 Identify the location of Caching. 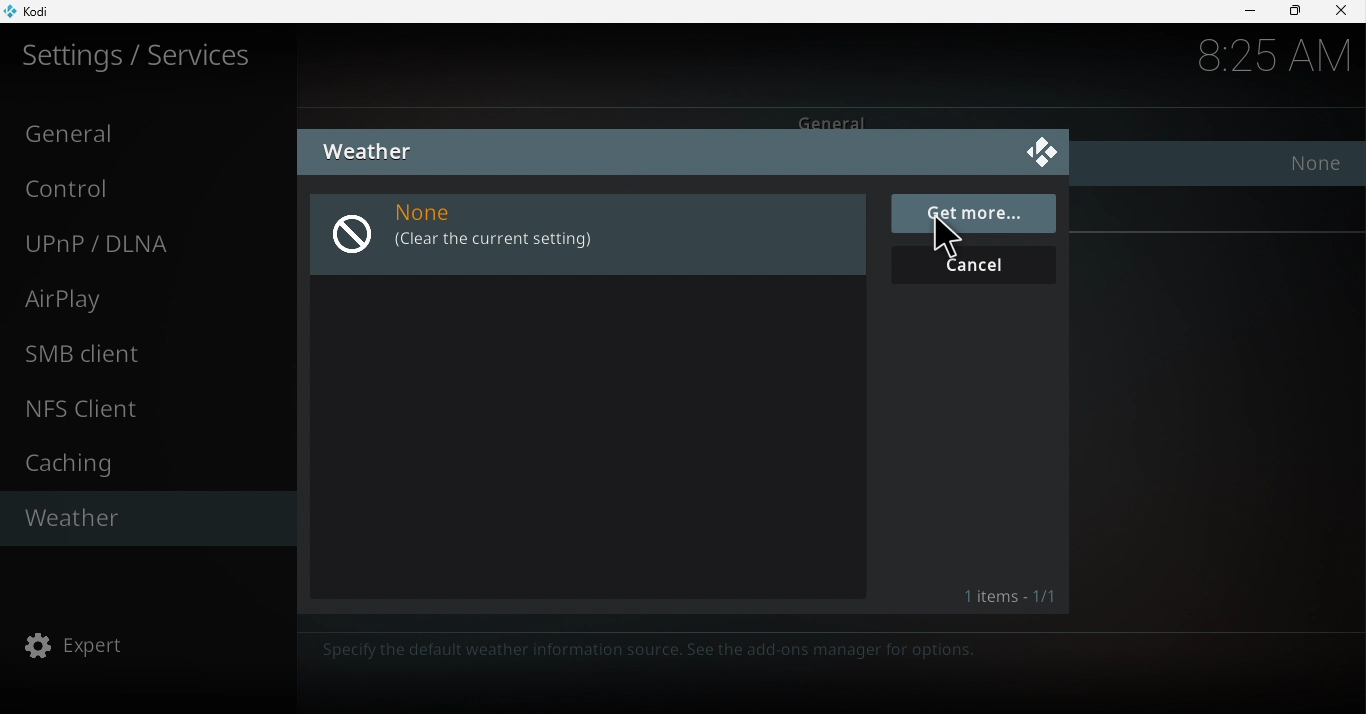
(141, 463).